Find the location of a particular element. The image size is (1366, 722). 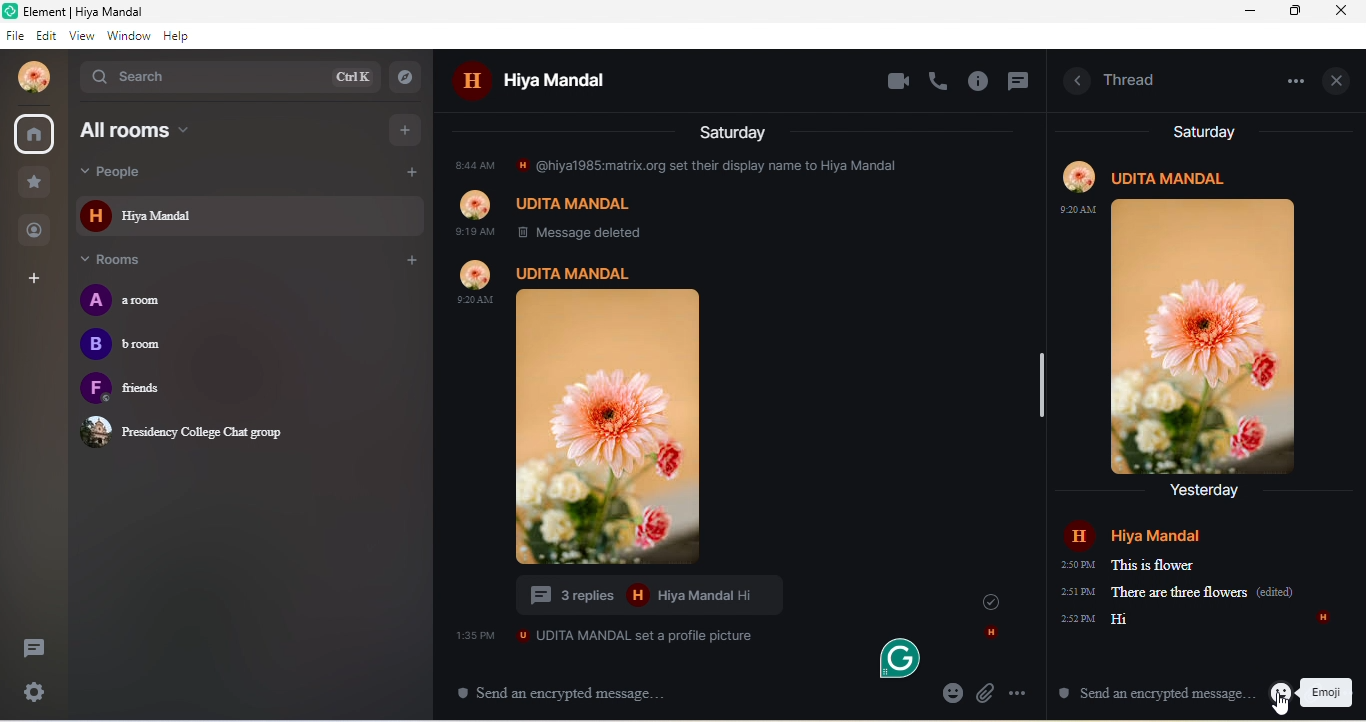

Presidency College Chat group is located at coordinates (183, 431).